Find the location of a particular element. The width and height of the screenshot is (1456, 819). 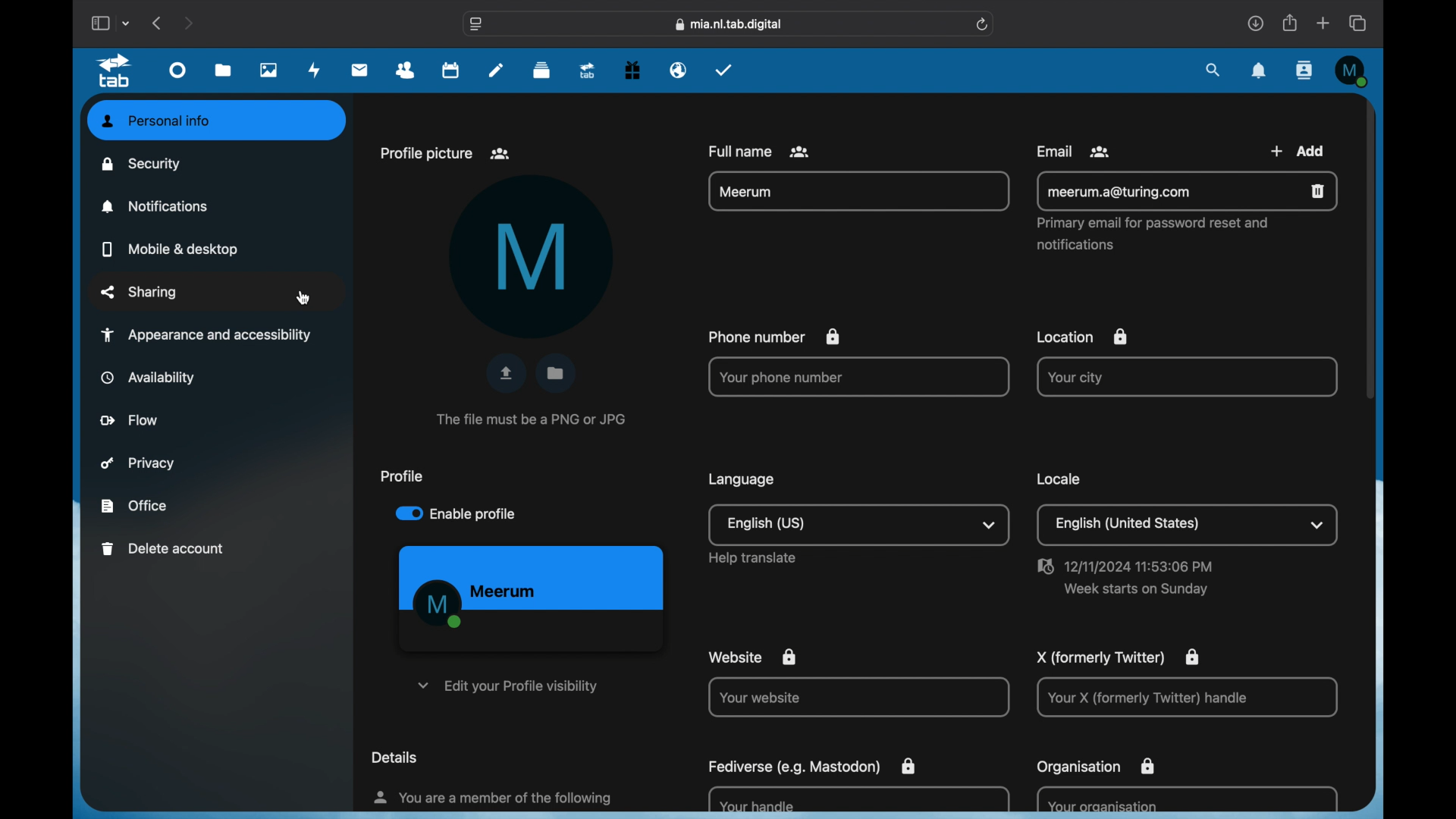

mobile and desktop is located at coordinates (170, 250).